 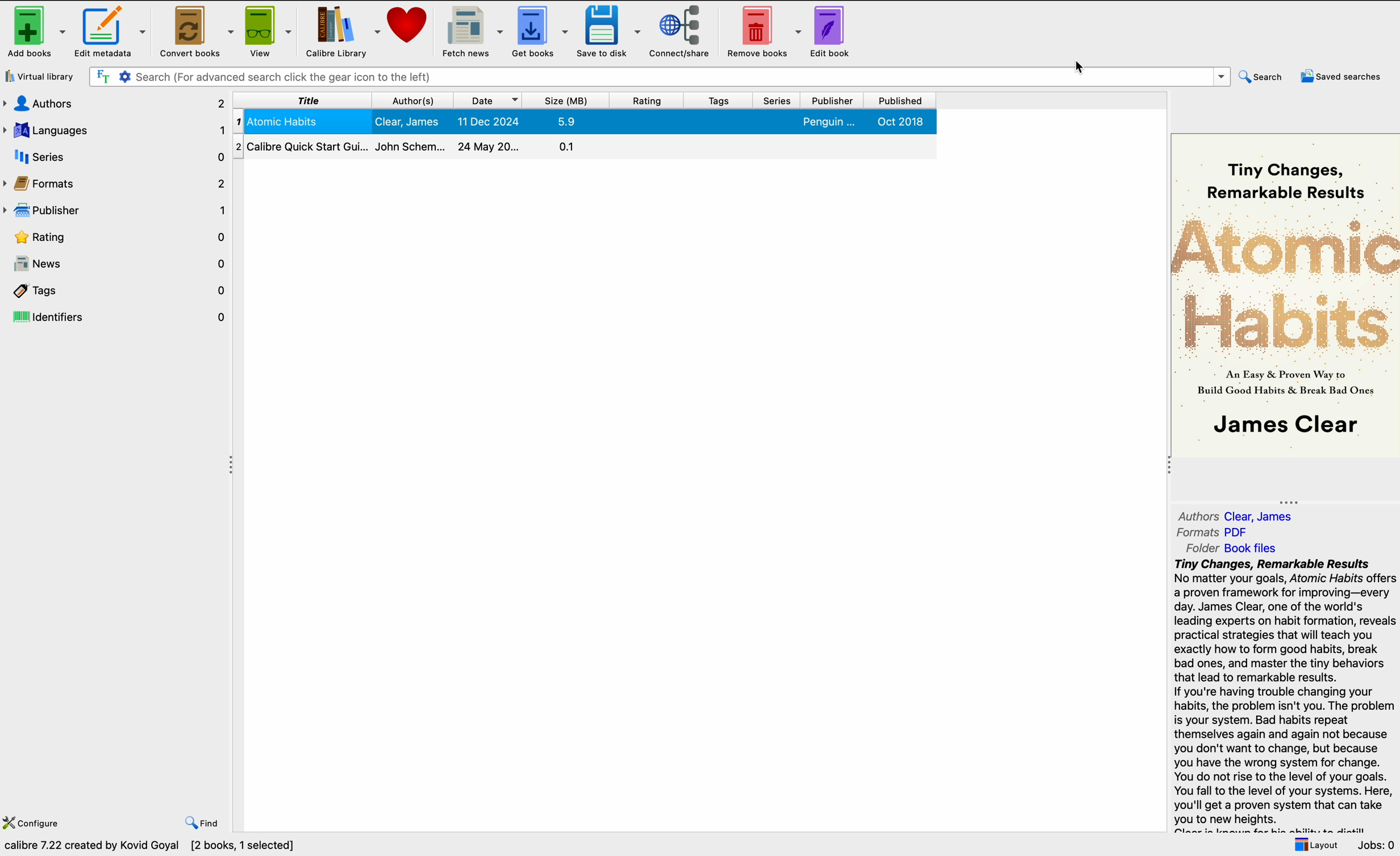 I want to click on title, so click(x=303, y=101).